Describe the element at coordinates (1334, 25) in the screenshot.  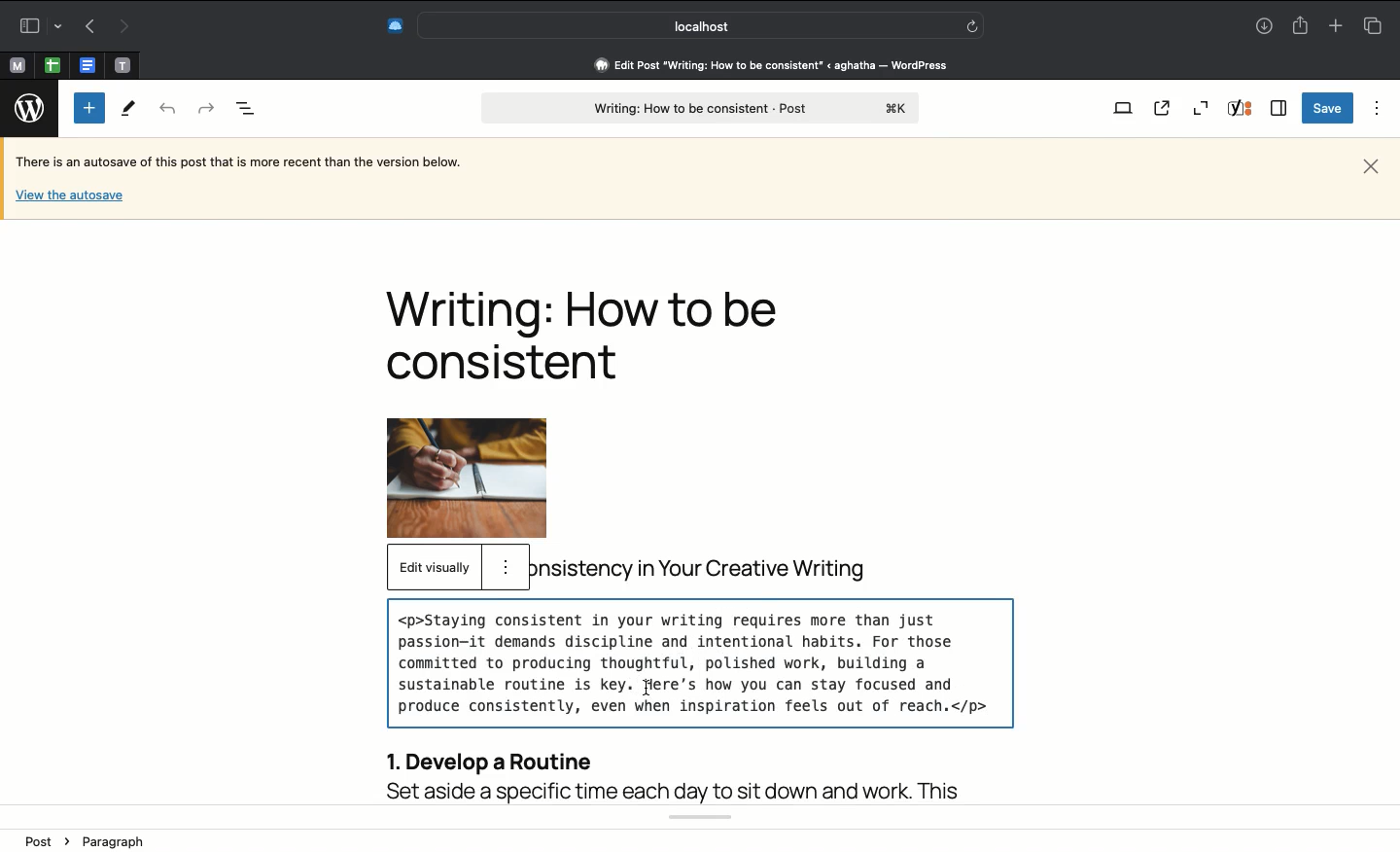
I see `Add new tab` at that location.